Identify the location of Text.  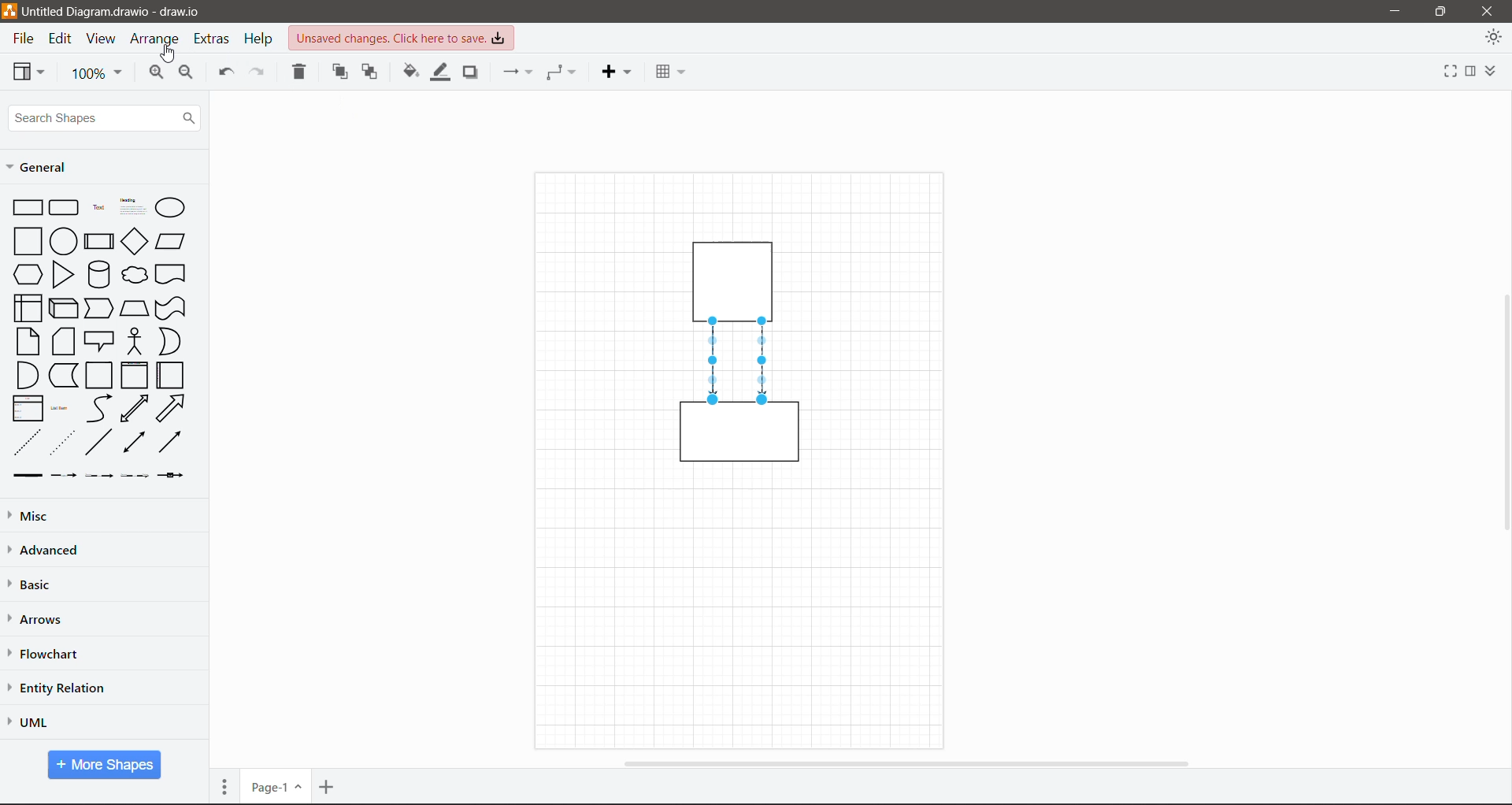
(98, 206).